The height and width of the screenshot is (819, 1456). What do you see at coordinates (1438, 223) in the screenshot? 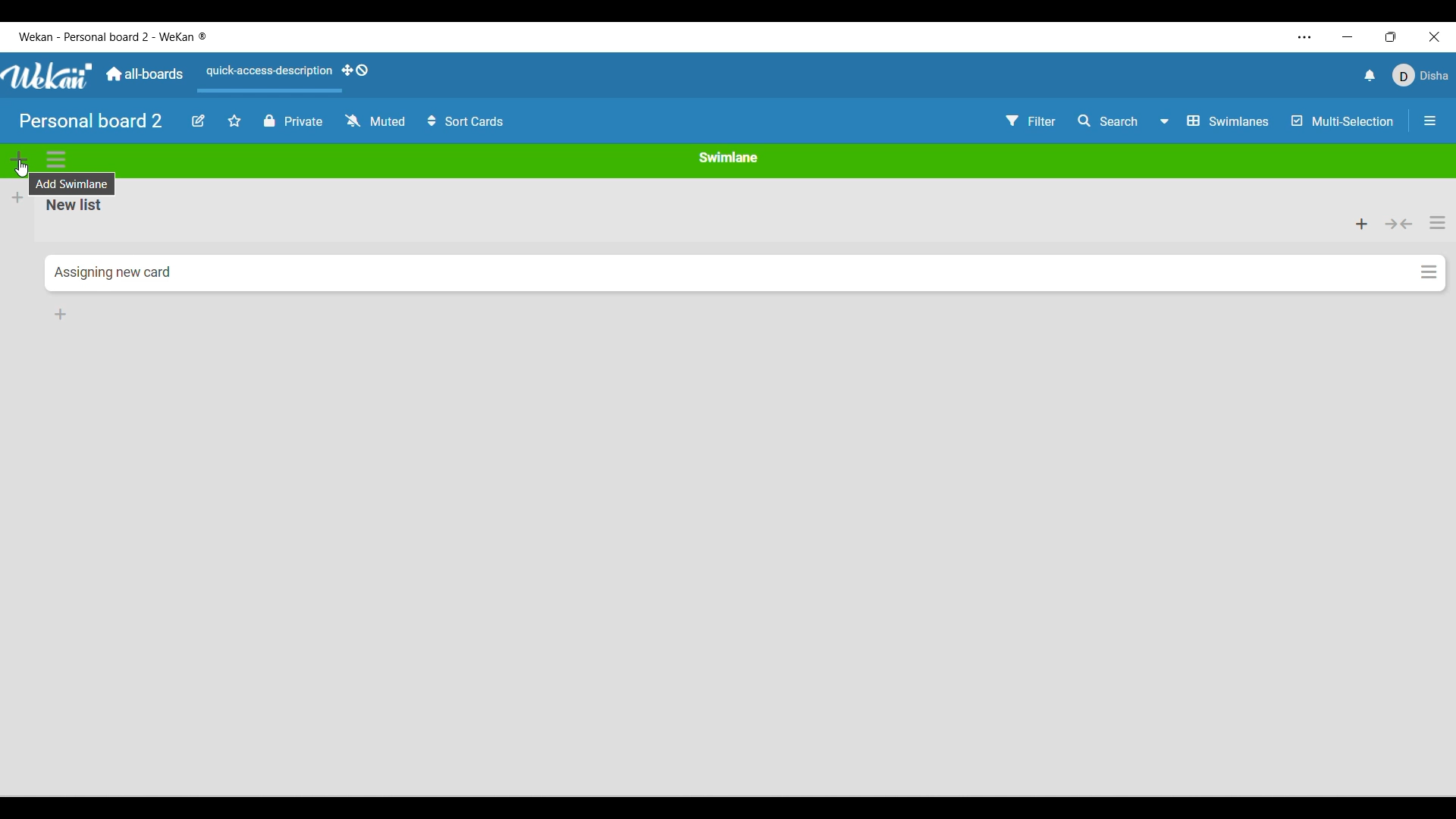
I see `List actions` at bounding box center [1438, 223].